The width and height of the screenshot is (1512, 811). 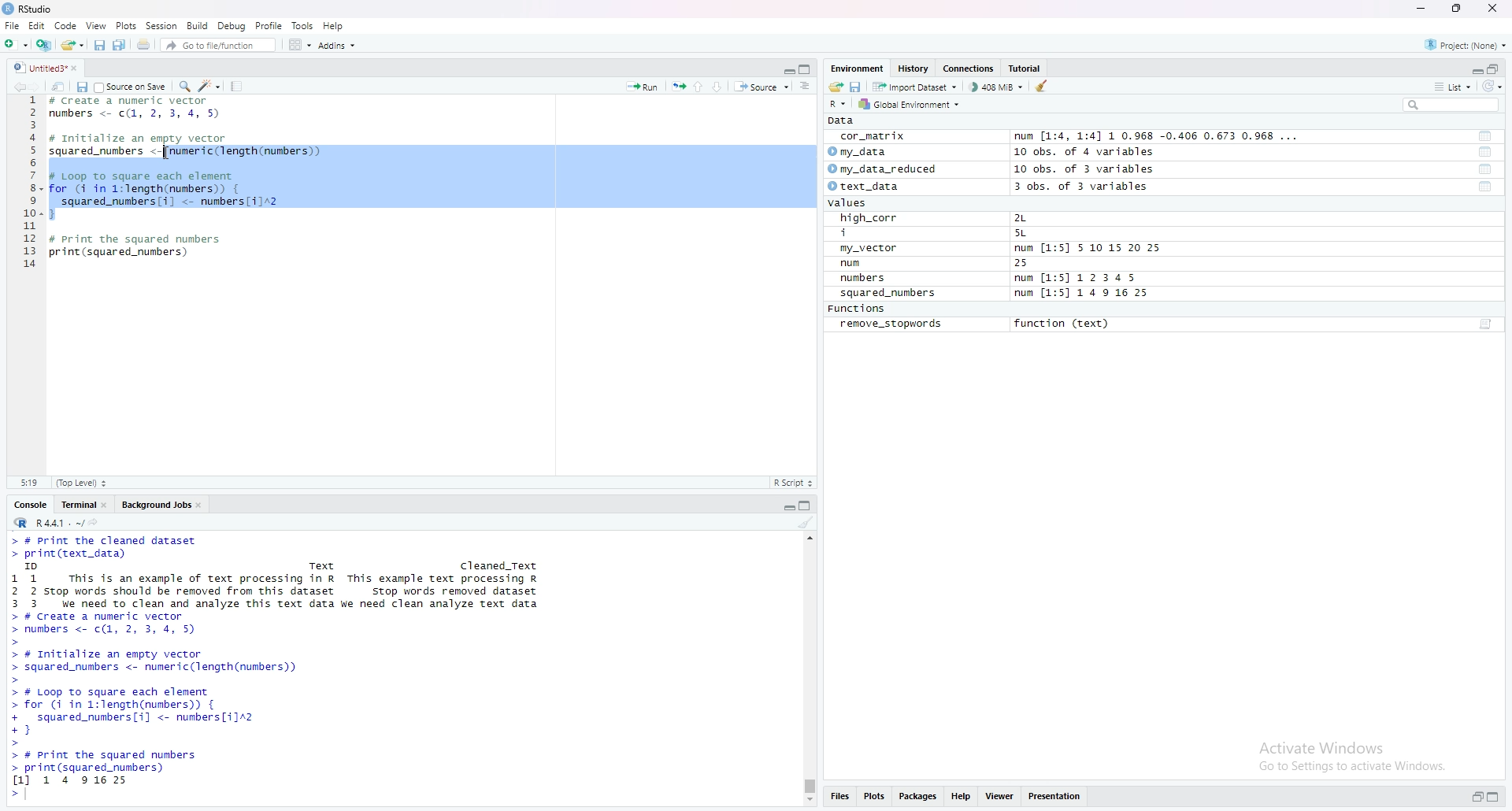 What do you see at coordinates (106, 152) in the screenshot?
I see `squared_numbers <-` at bounding box center [106, 152].